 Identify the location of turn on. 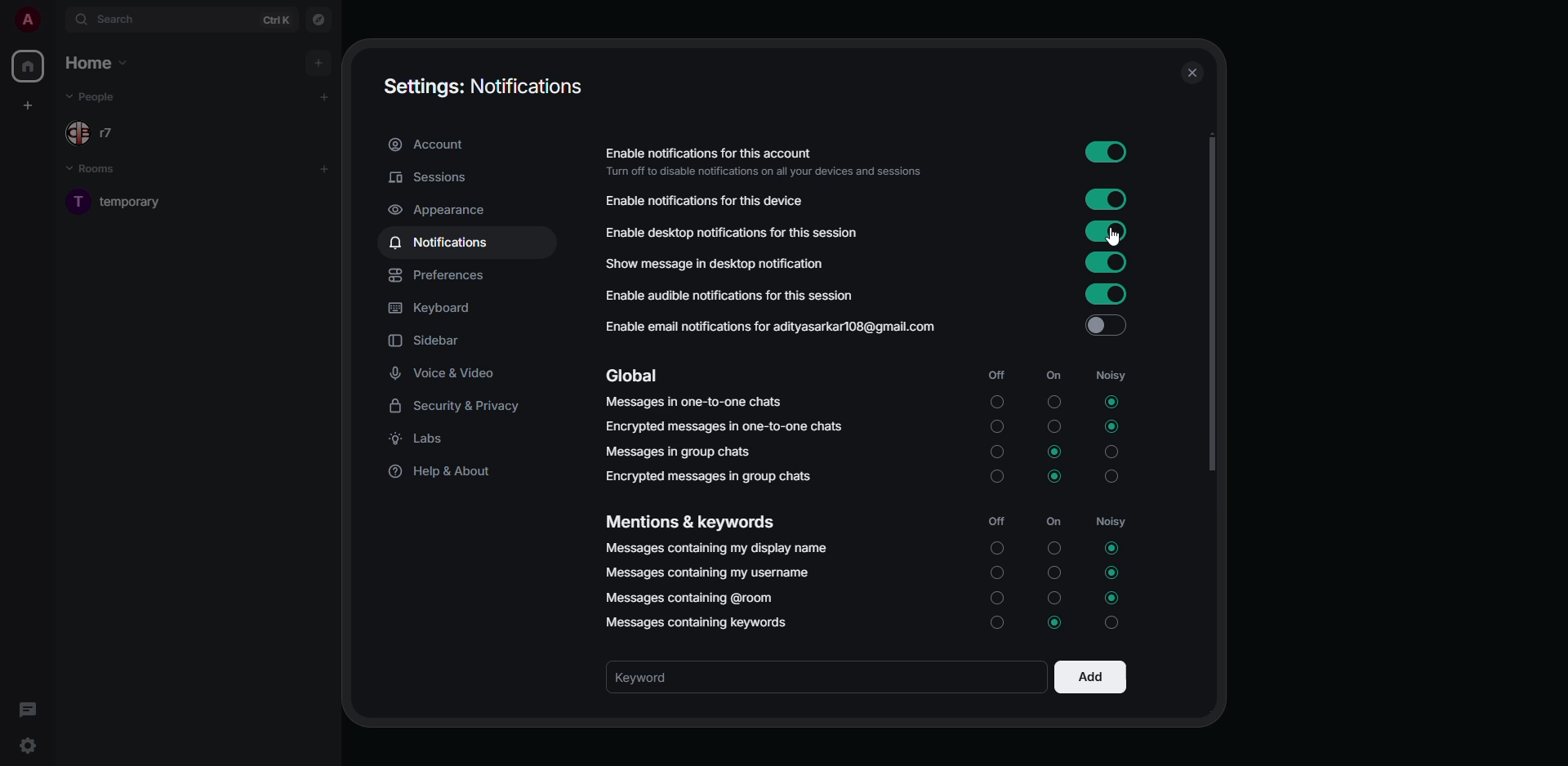
(996, 602).